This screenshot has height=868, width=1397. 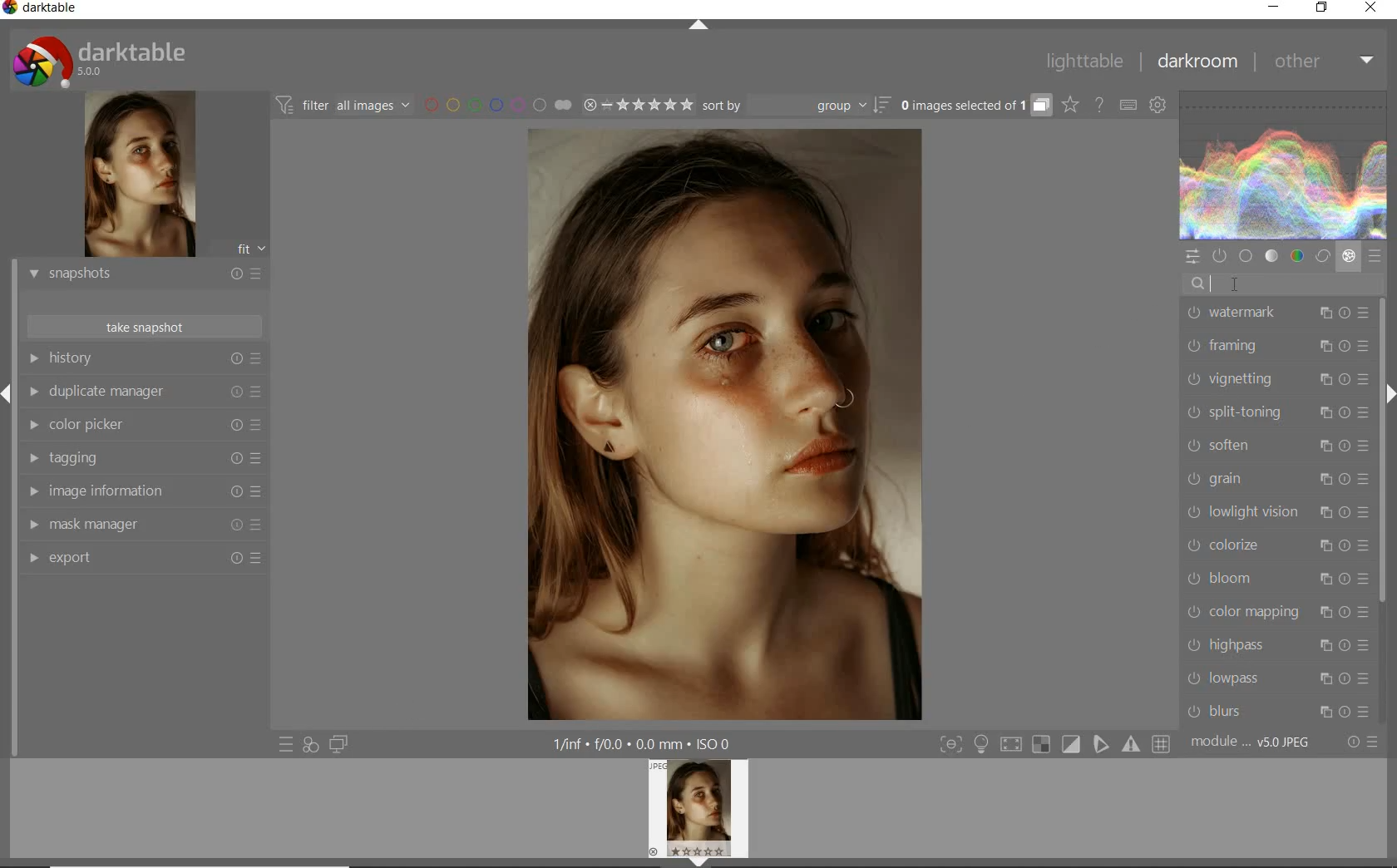 I want to click on lowpass, so click(x=1277, y=678).